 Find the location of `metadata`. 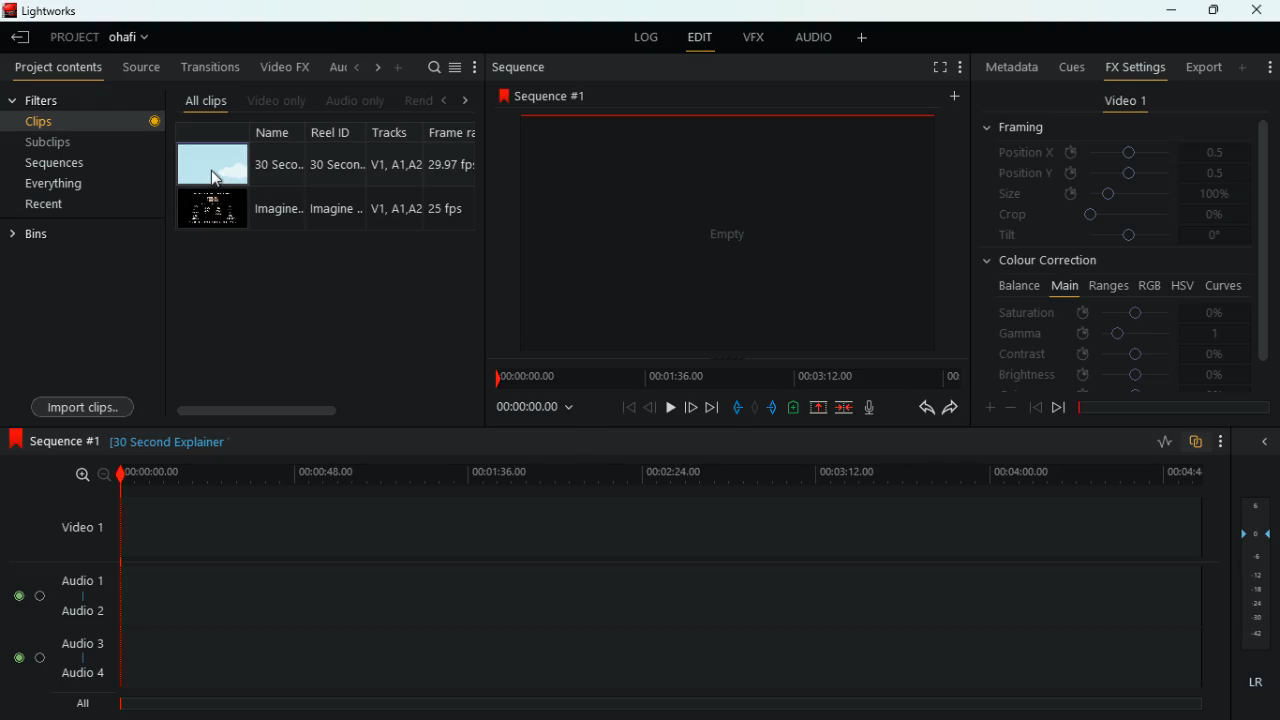

metadata is located at coordinates (1009, 69).